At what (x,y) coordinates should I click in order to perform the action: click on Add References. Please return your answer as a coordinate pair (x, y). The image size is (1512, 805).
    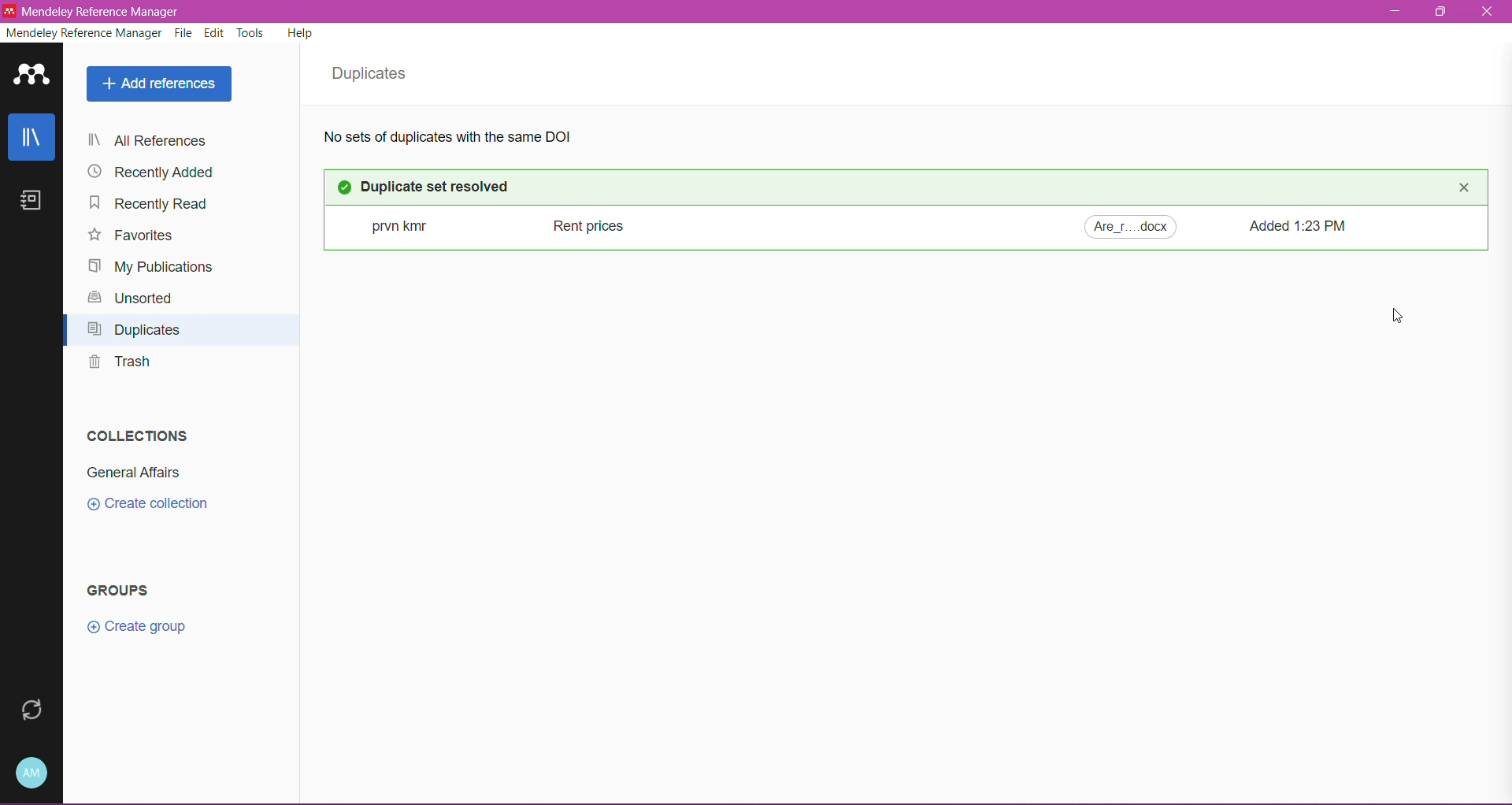
    Looking at the image, I should click on (158, 85).